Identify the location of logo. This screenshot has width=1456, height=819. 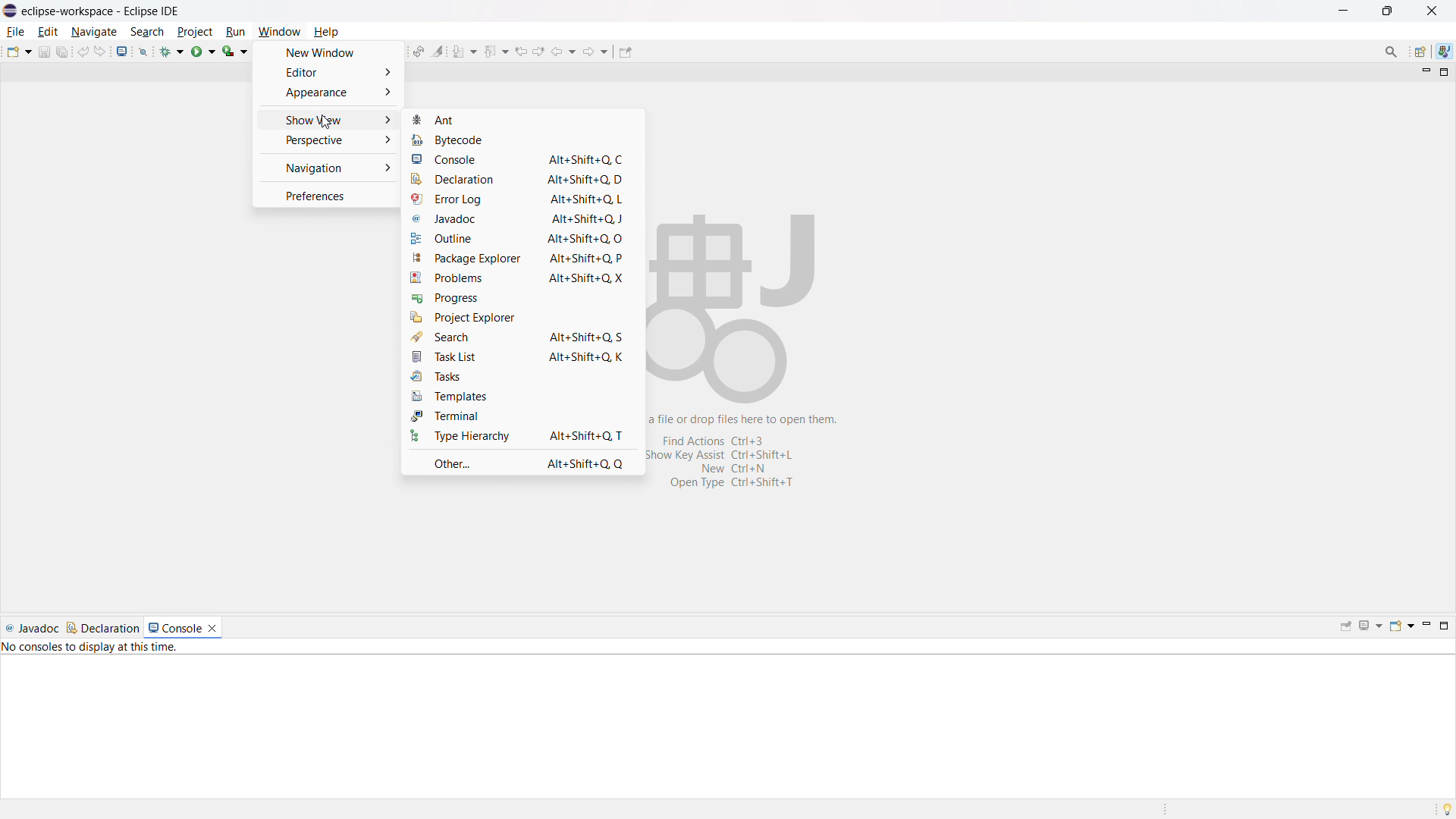
(10, 11).